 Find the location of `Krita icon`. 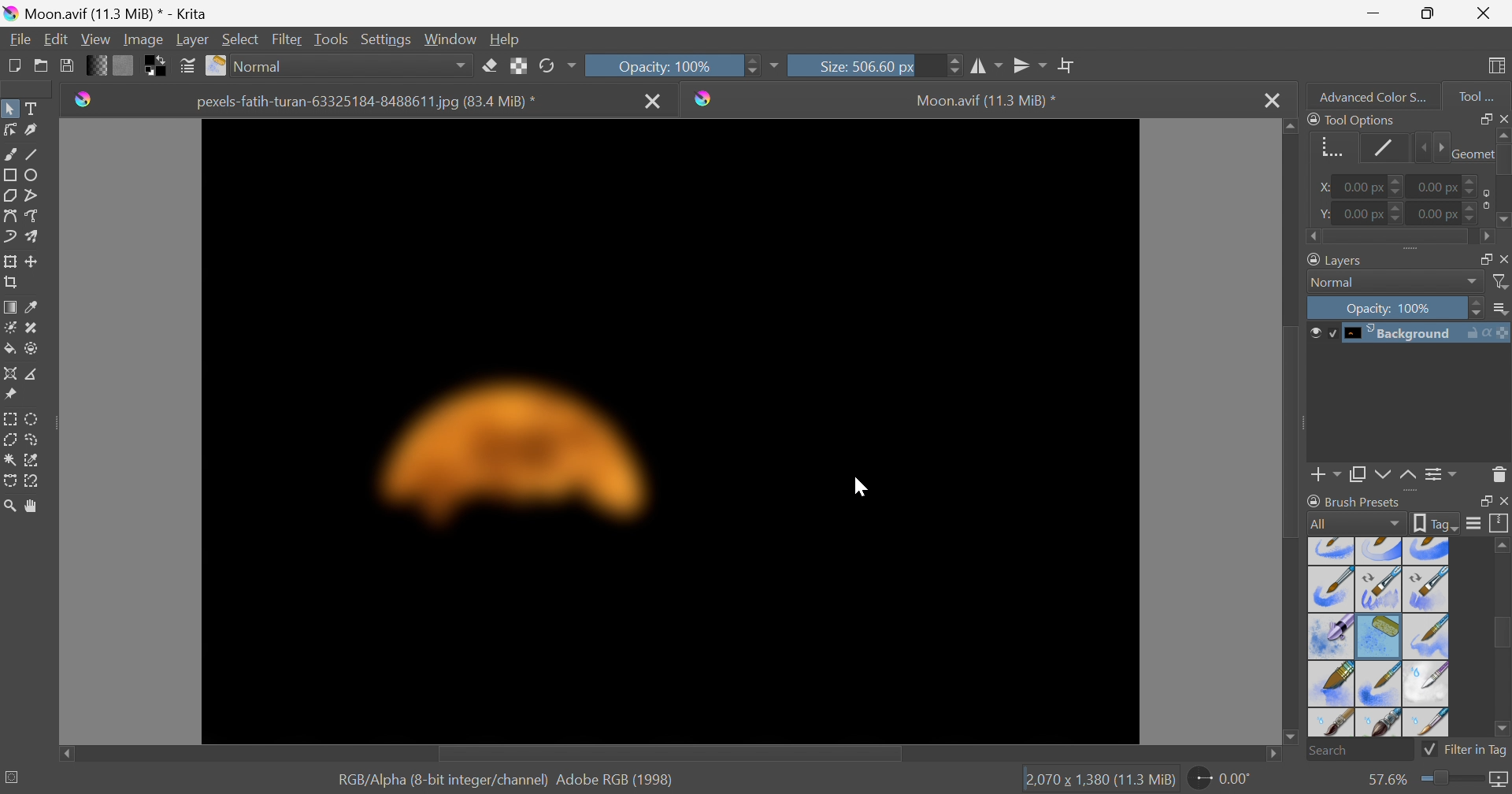

Krita icon is located at coordinates (707, 98).